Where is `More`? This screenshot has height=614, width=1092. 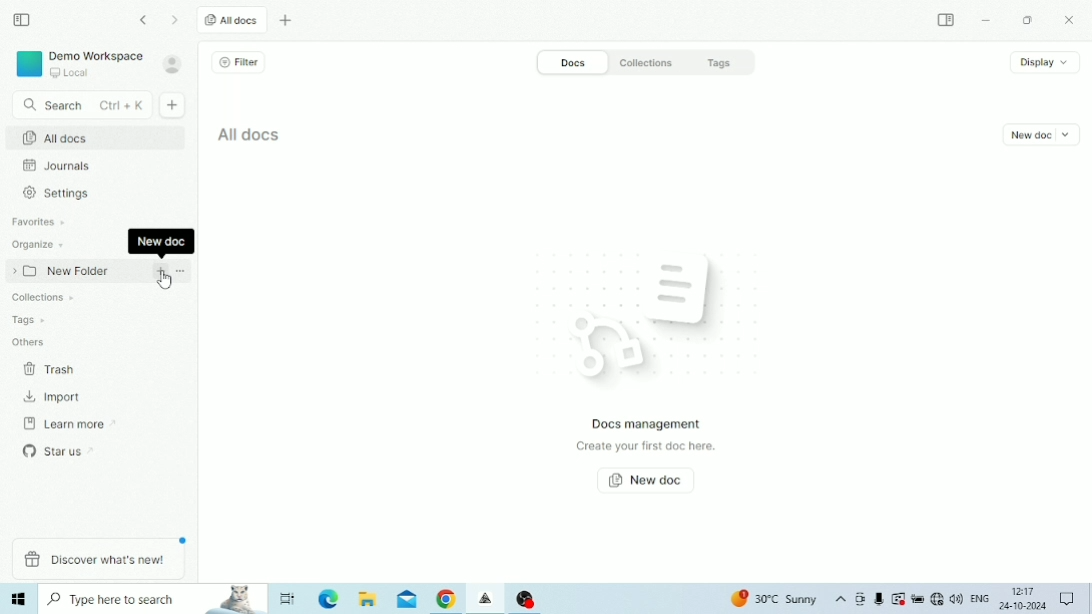 More is located at coordinates (181, 271).